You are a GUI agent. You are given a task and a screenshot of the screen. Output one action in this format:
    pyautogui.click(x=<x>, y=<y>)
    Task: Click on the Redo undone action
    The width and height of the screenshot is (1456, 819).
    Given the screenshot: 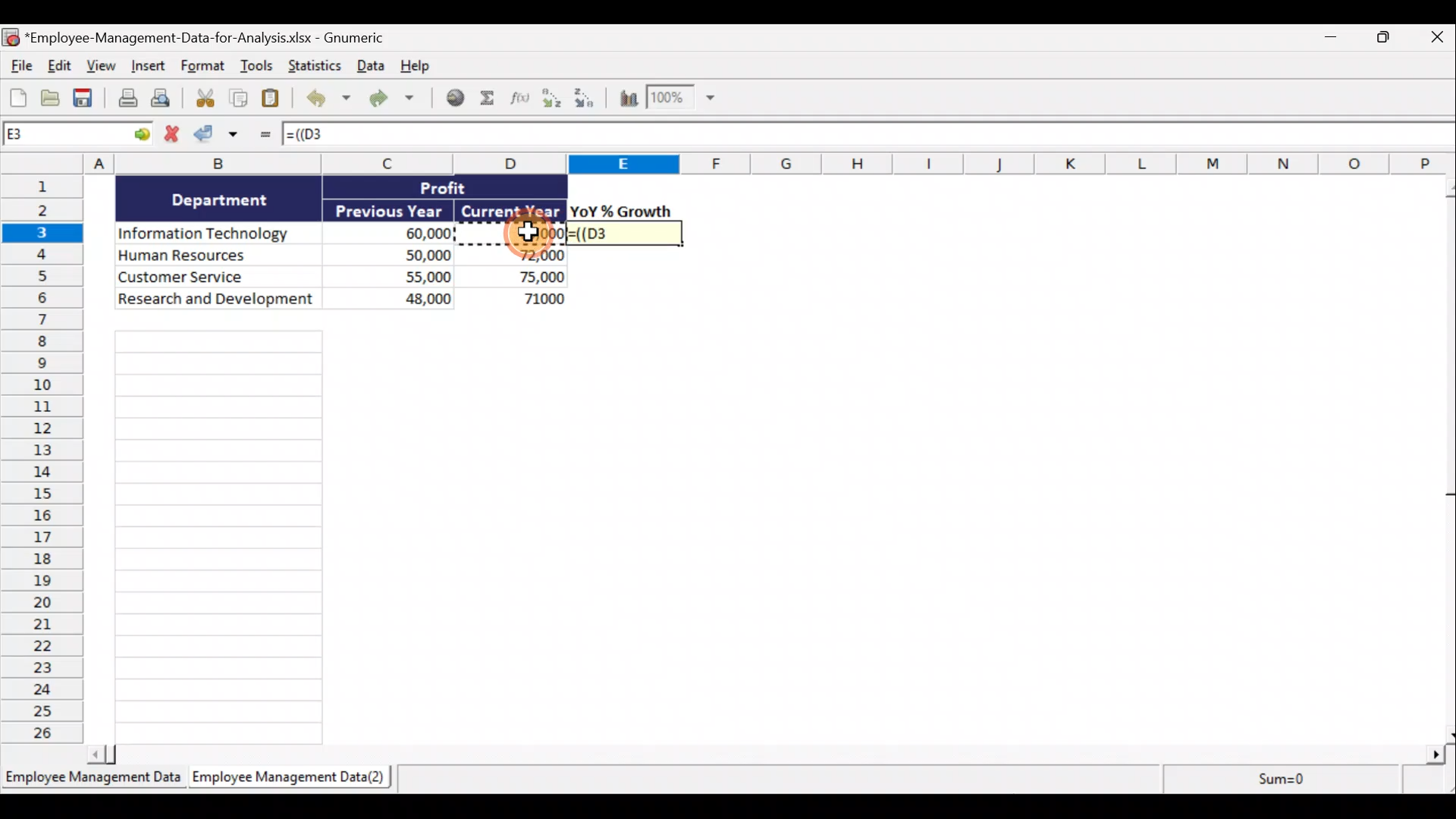 What is the action you would take?
    pyautogui.click(x=390, y=99)
    